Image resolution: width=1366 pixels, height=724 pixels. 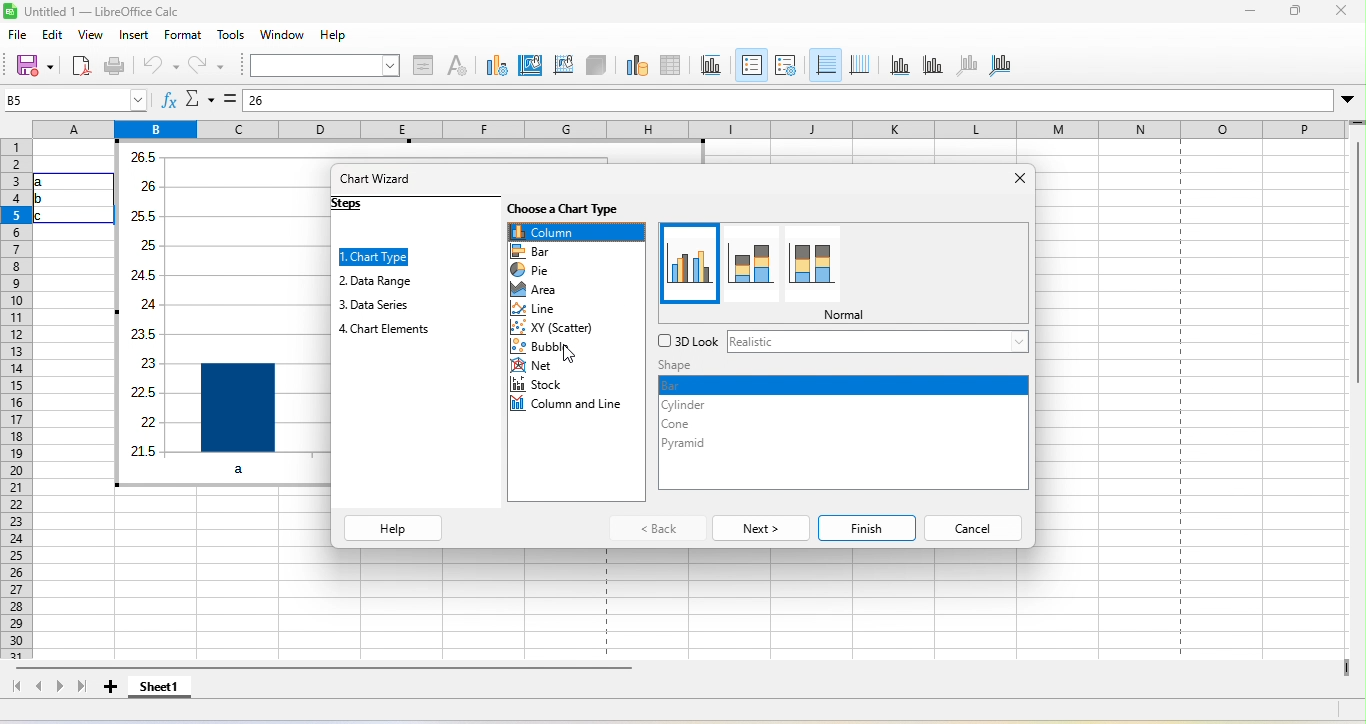 What do you see at coordinates (813, 264) in the screenshot?
I see `percent stacked` at bounding box center [813, 264].